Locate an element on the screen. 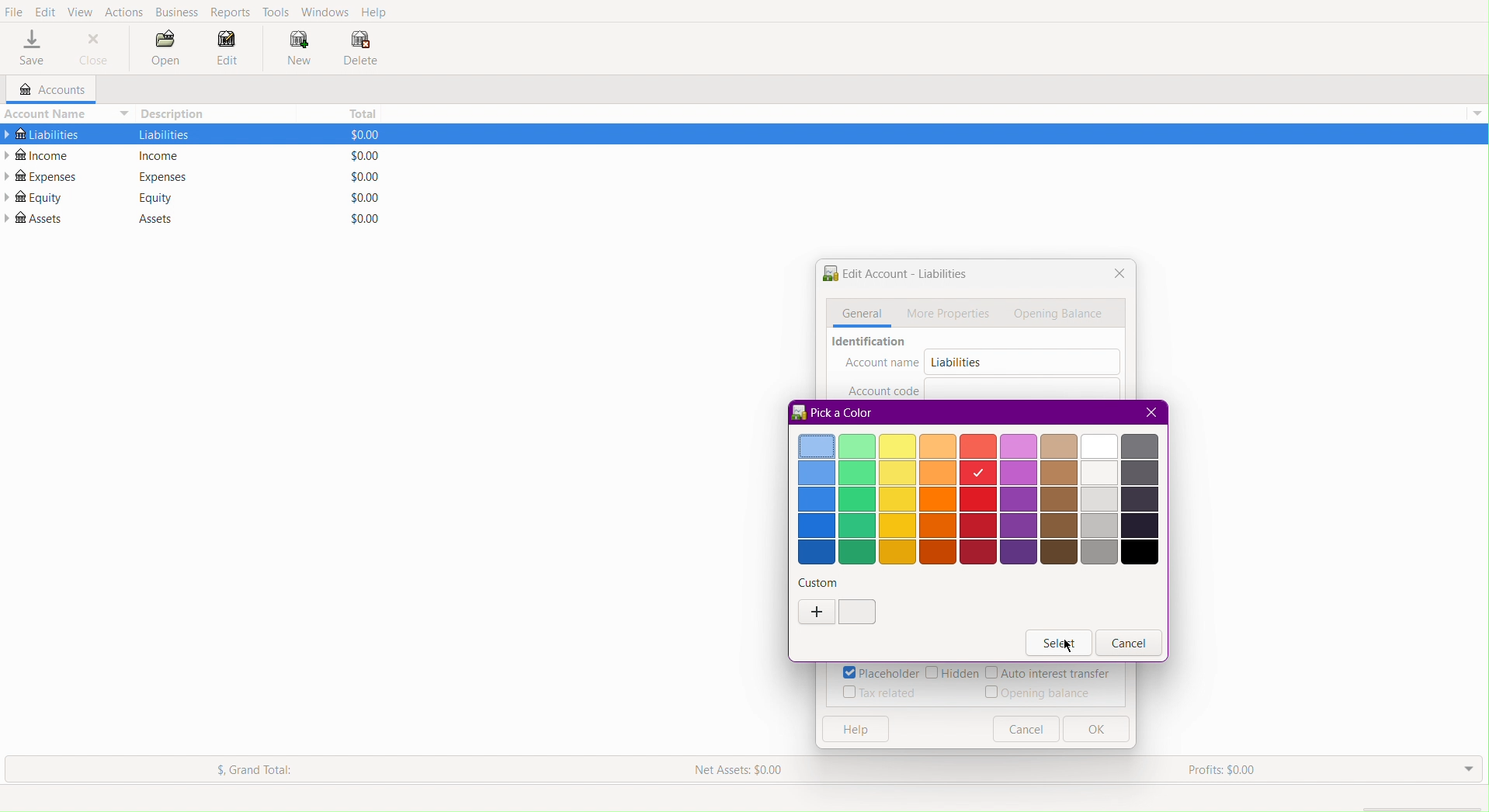 Image resolution: width=1489 pixels, height=812 pixels. Equity is located at coordinates (33, 197).